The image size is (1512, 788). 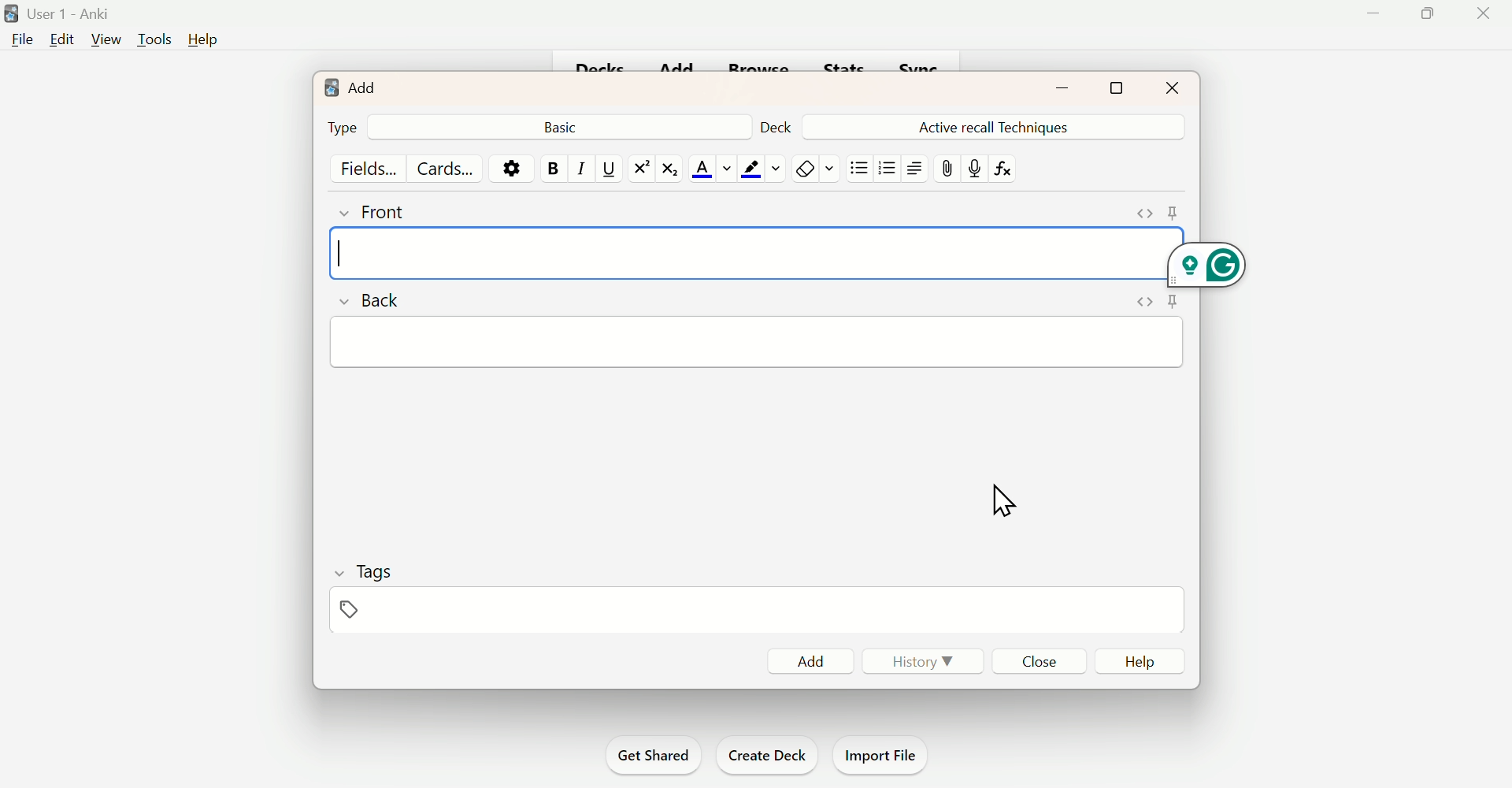 What do you see at coordinates (669, 169) in the screenshot?
I see `Subscript` at bounding box center [669, 169].